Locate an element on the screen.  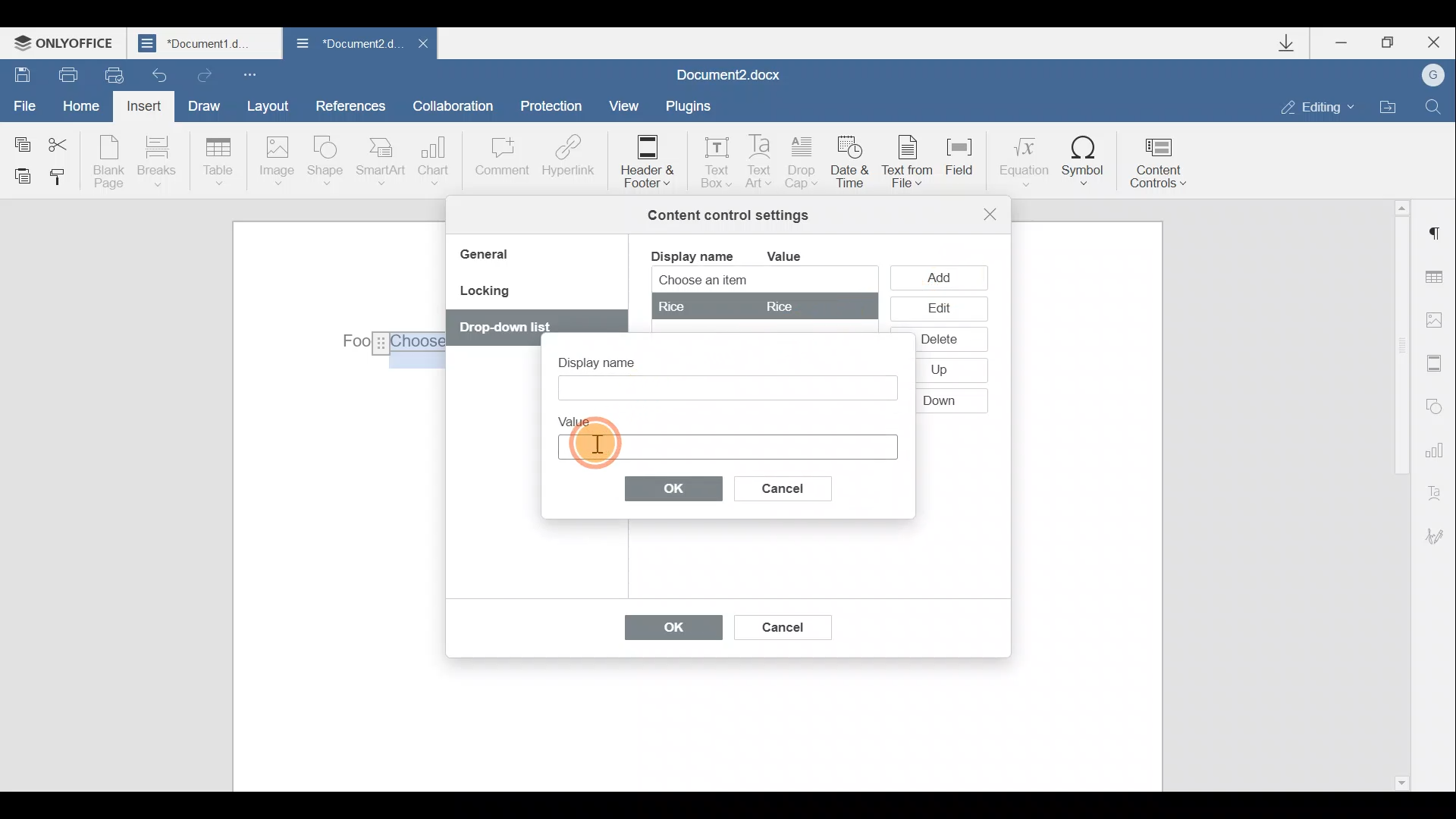
Header & footer is located at coordinates (646, 160).